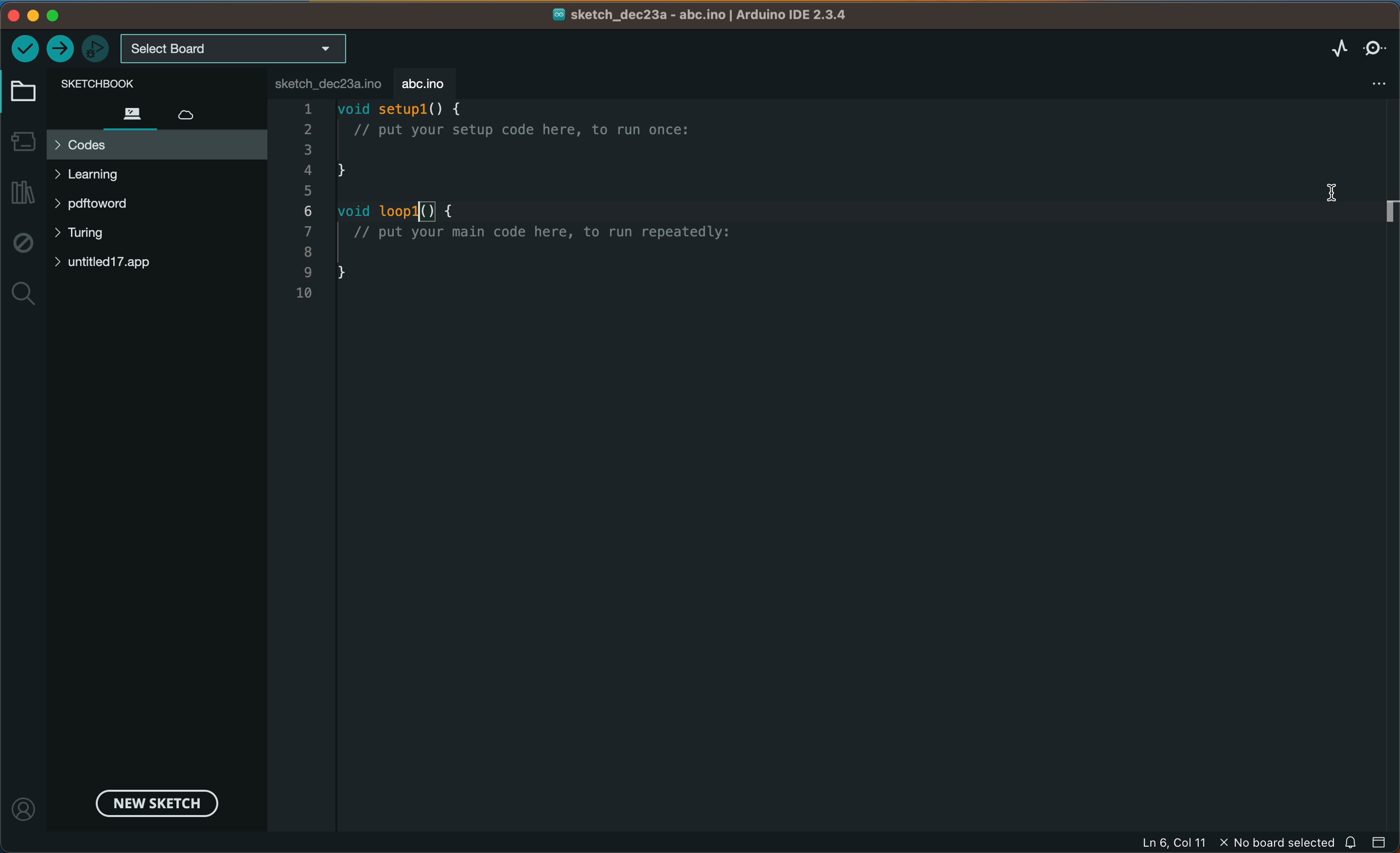 The width and height of the screenshot is (1400, 853). What do you see at coordinates (114, 174) in the screenshot?
I see `learning` at bounding box center [114, 174].